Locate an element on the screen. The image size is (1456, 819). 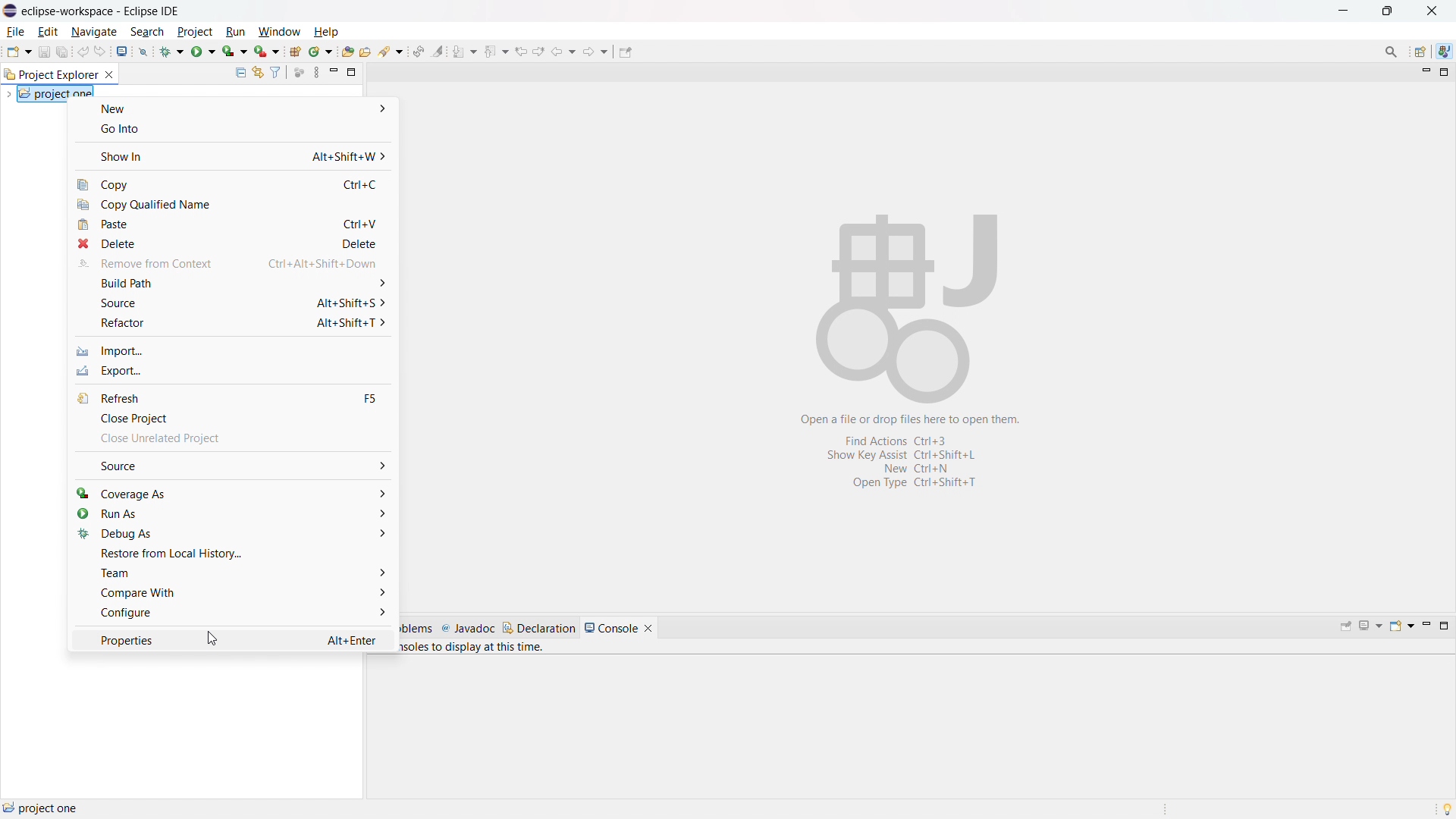
java is located at coordinates (1444, 52).